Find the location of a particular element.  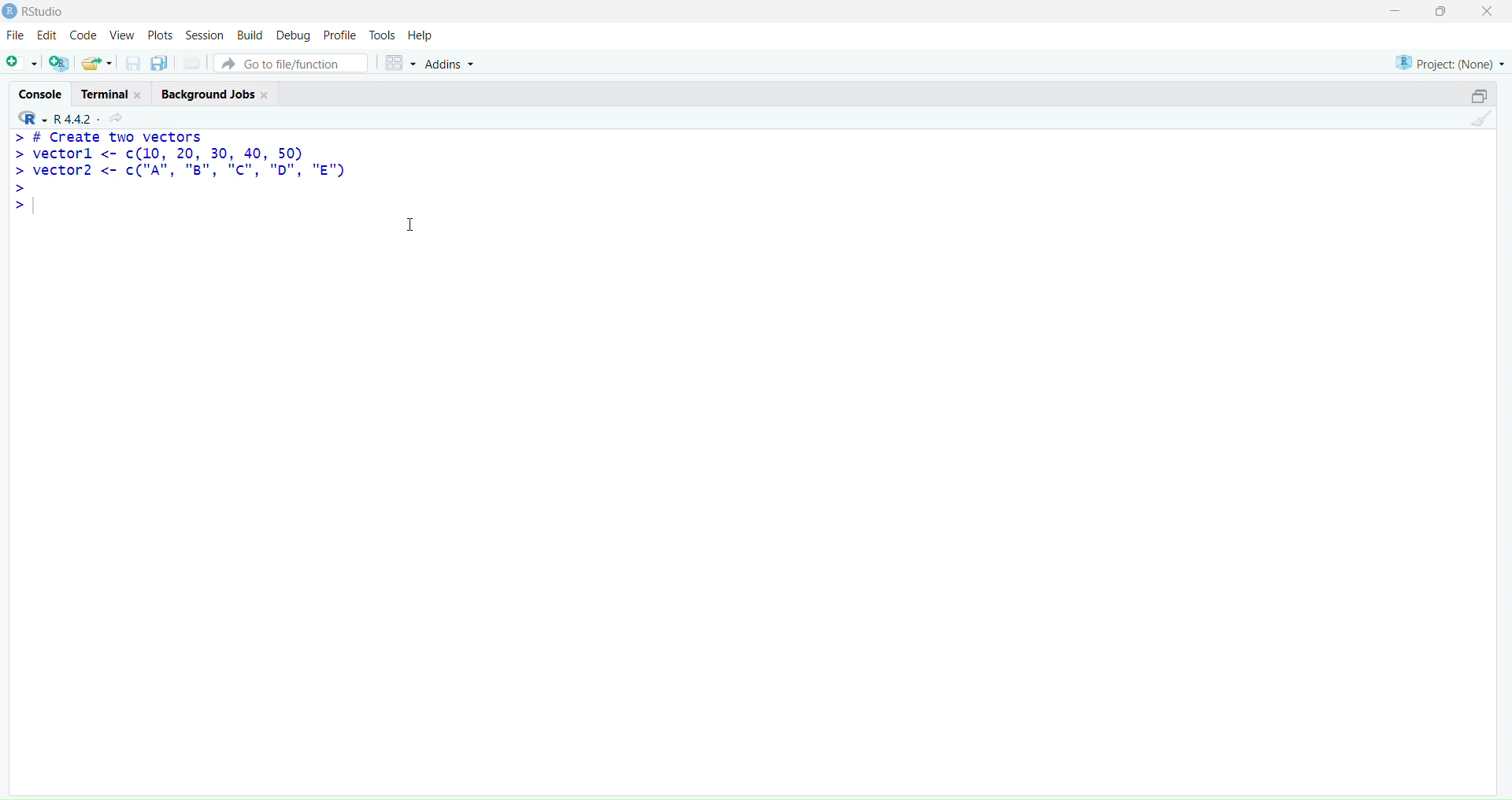

clear console is located at coordinates (1481, 119).